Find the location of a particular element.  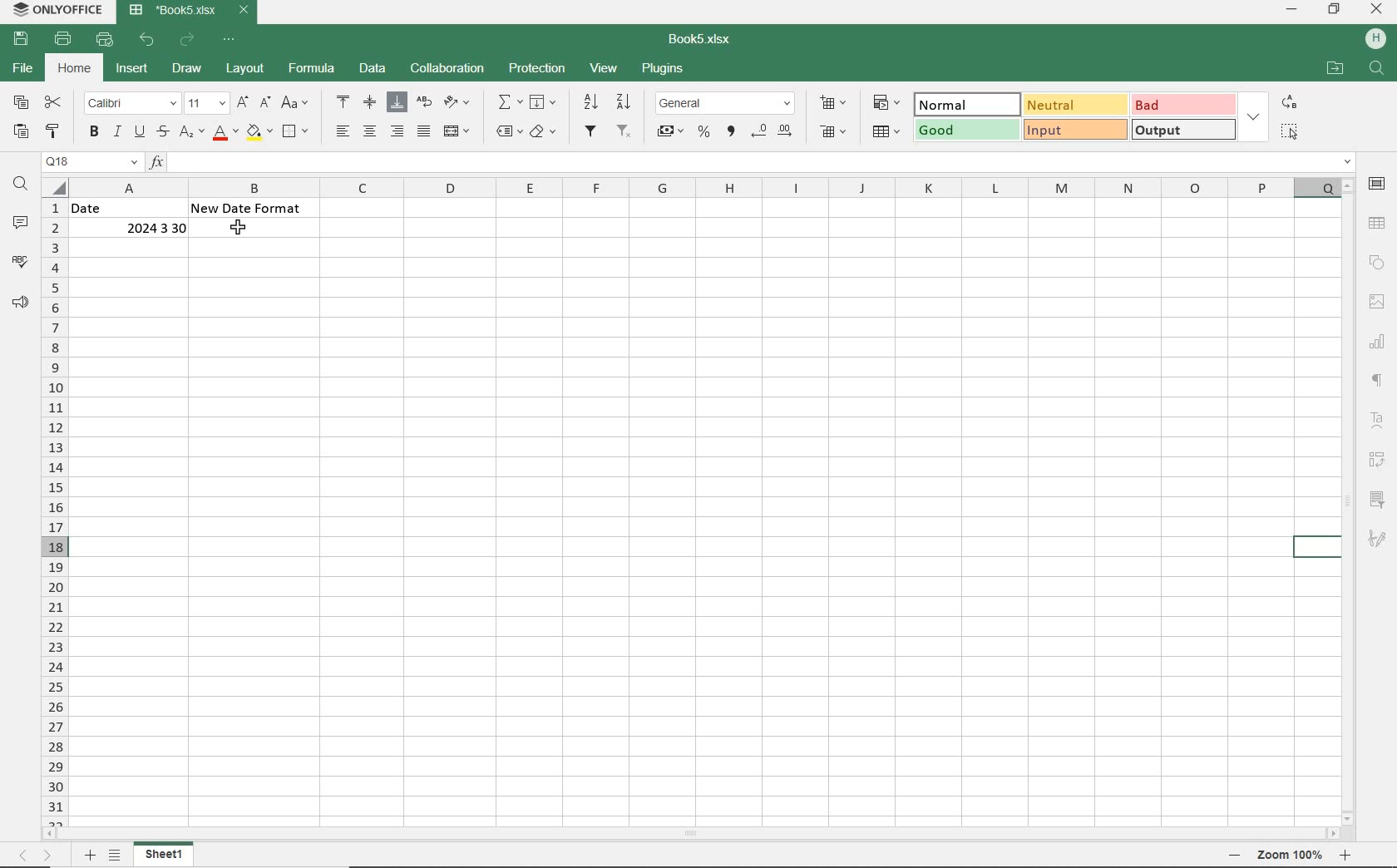

FORMAT AS TABLE TEMPLATE is located at coordinates (886, 131).